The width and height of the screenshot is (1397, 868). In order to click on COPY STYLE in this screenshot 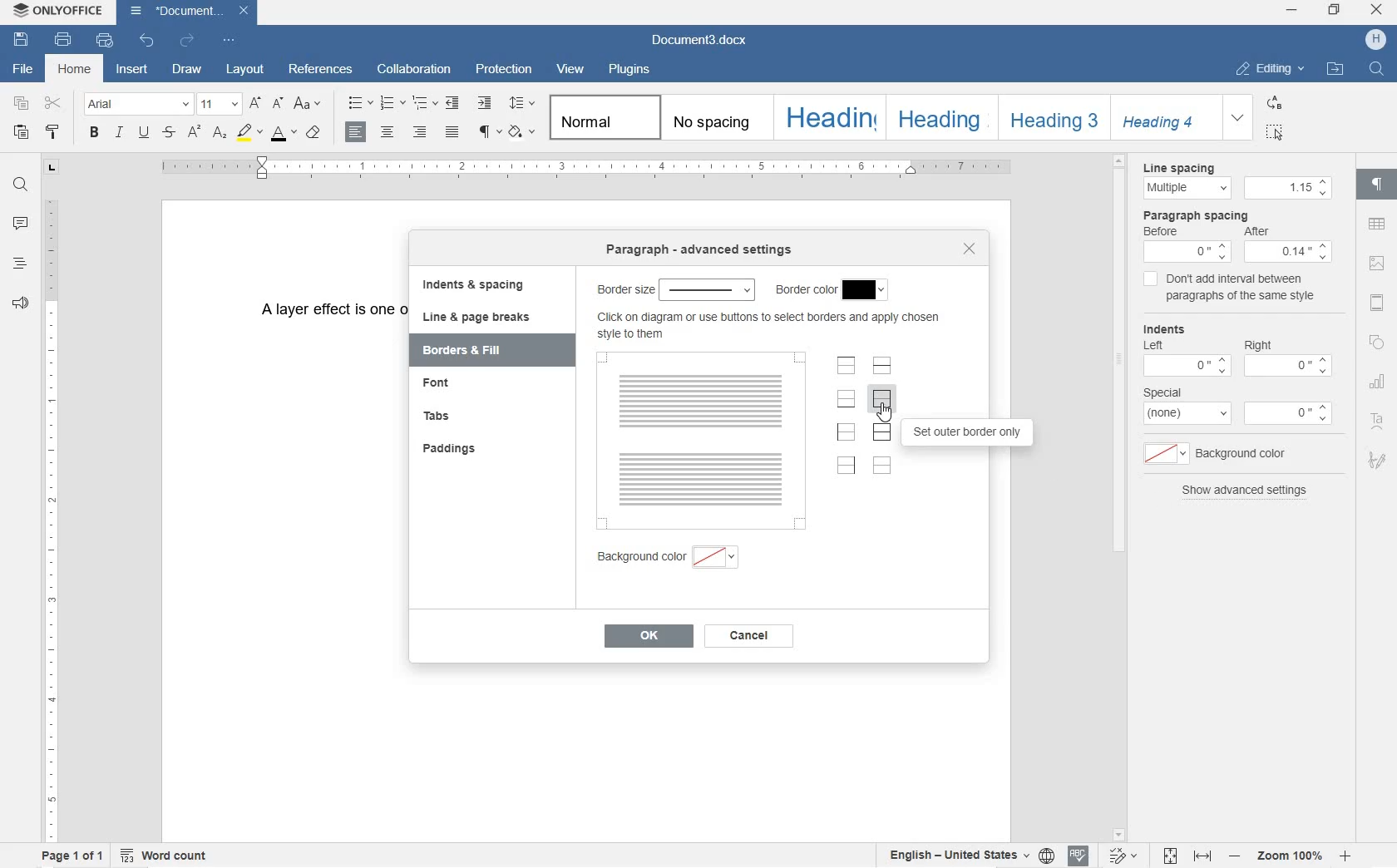, I will do `click(53, 133)`.